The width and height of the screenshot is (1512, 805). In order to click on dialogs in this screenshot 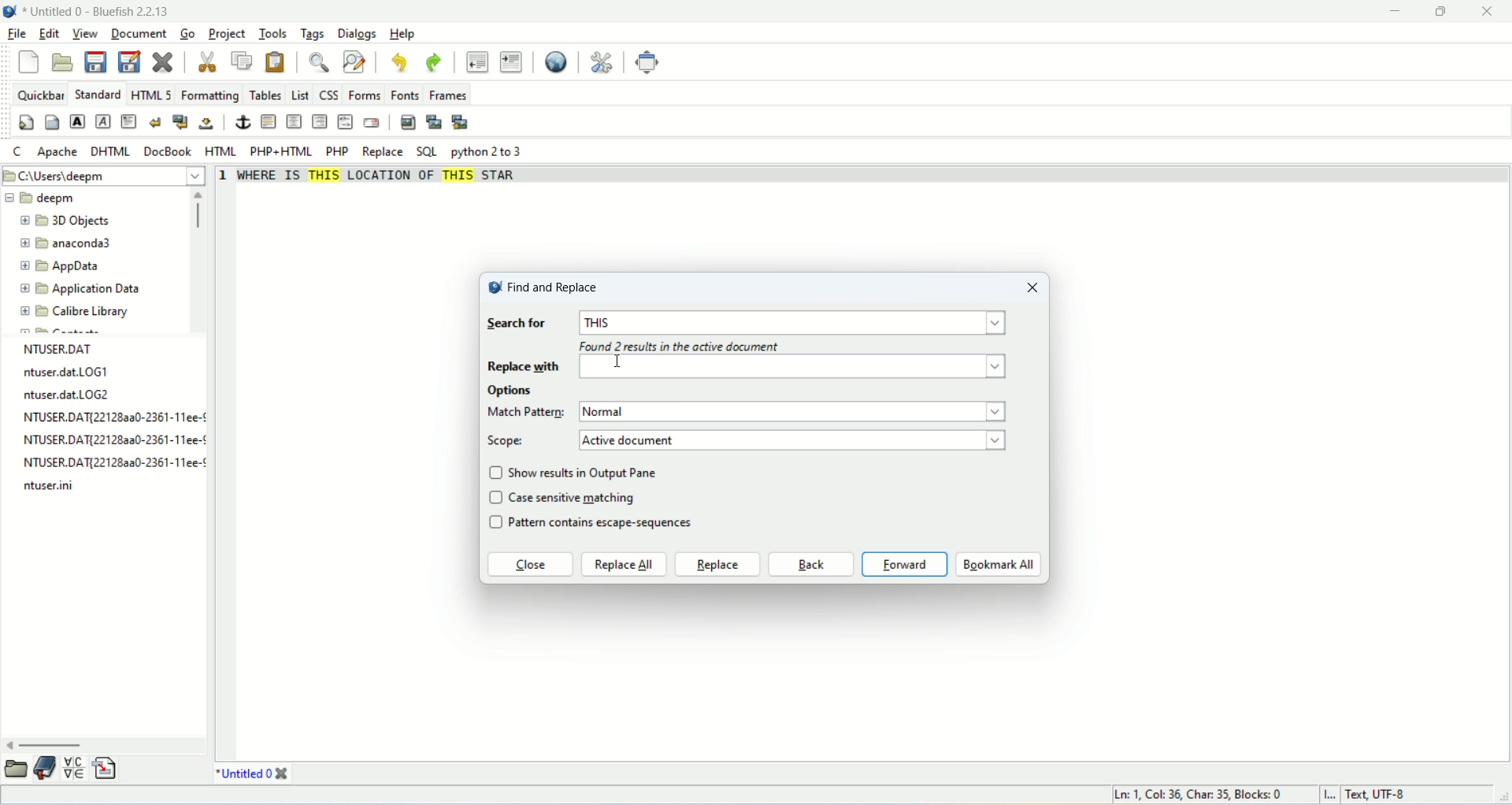, I will do `click(356, 33)`.